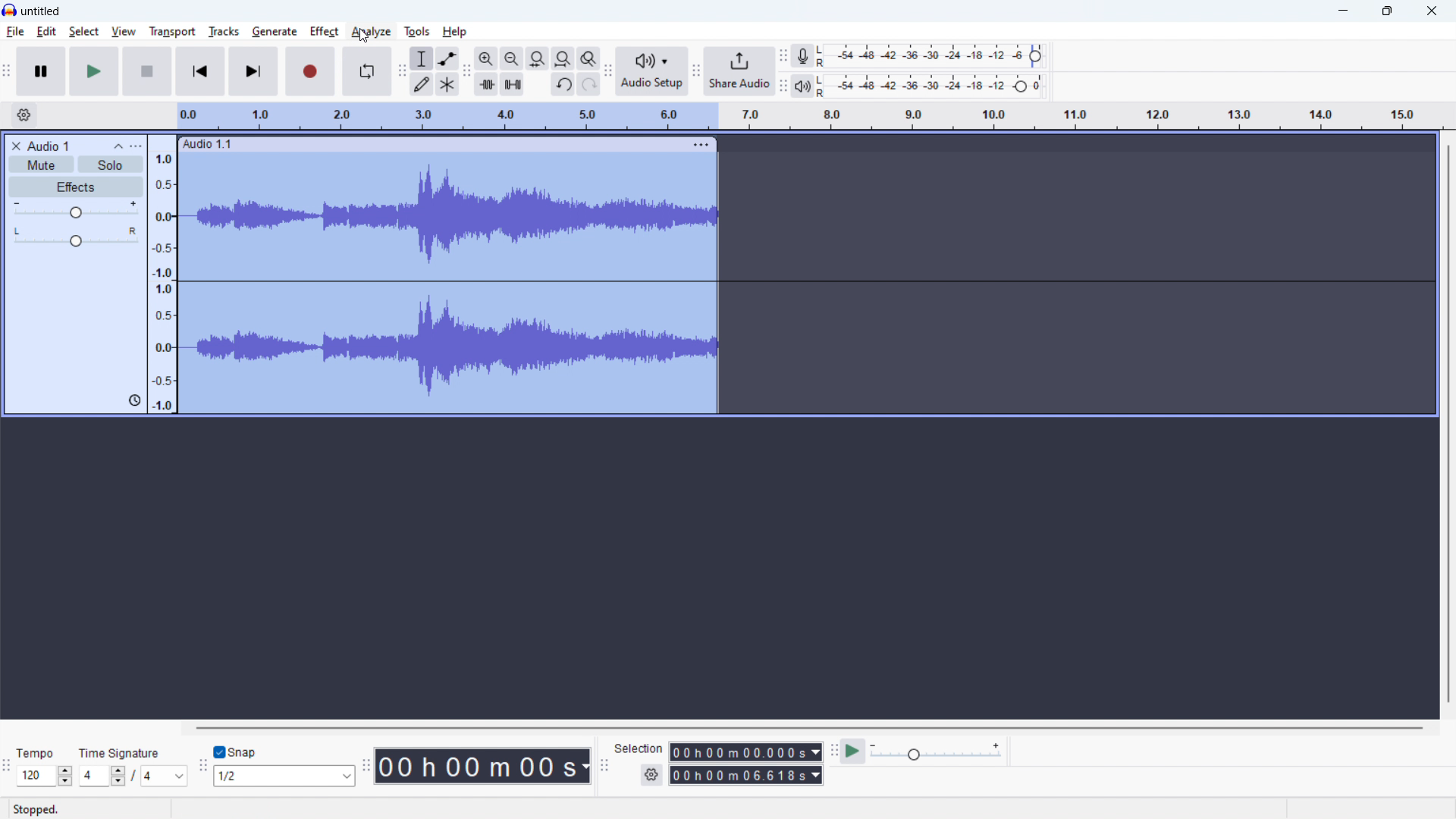  I want to click on recording meter toolbar, so click(783, 55).